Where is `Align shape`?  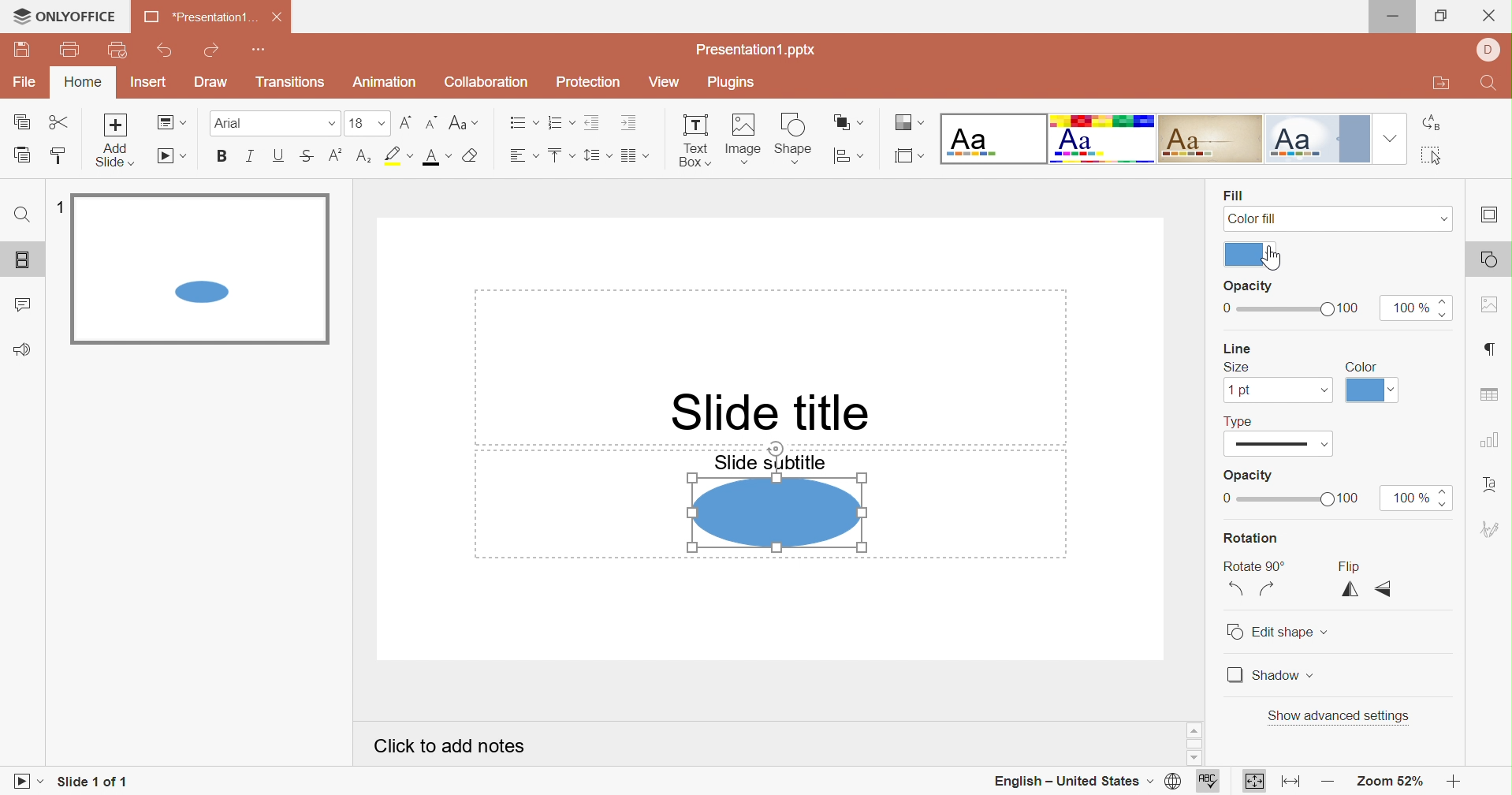
Align shape is located at coordinates (847, 155).